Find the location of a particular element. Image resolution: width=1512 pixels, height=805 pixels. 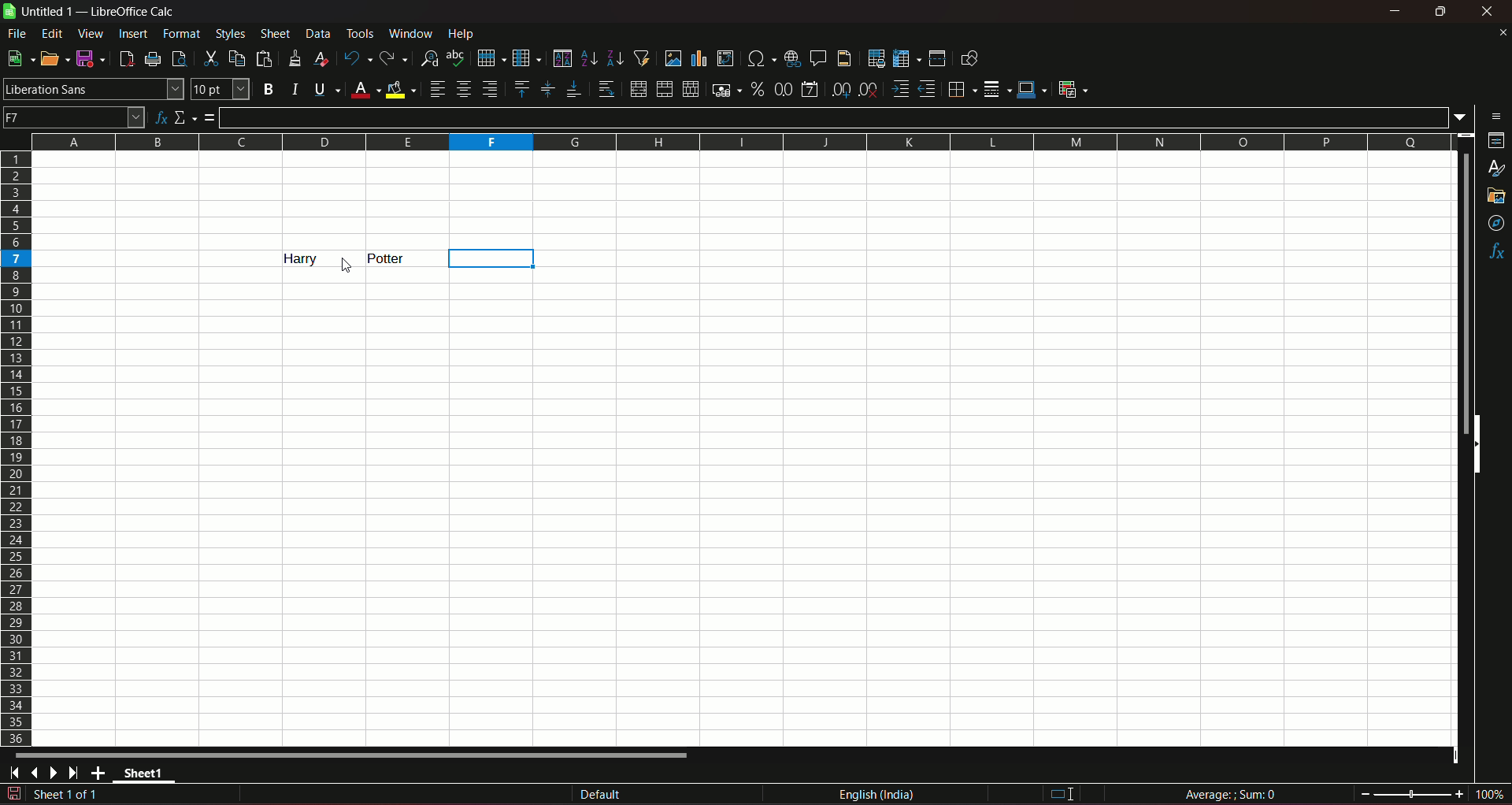

column is located at coordinates (525, 57).